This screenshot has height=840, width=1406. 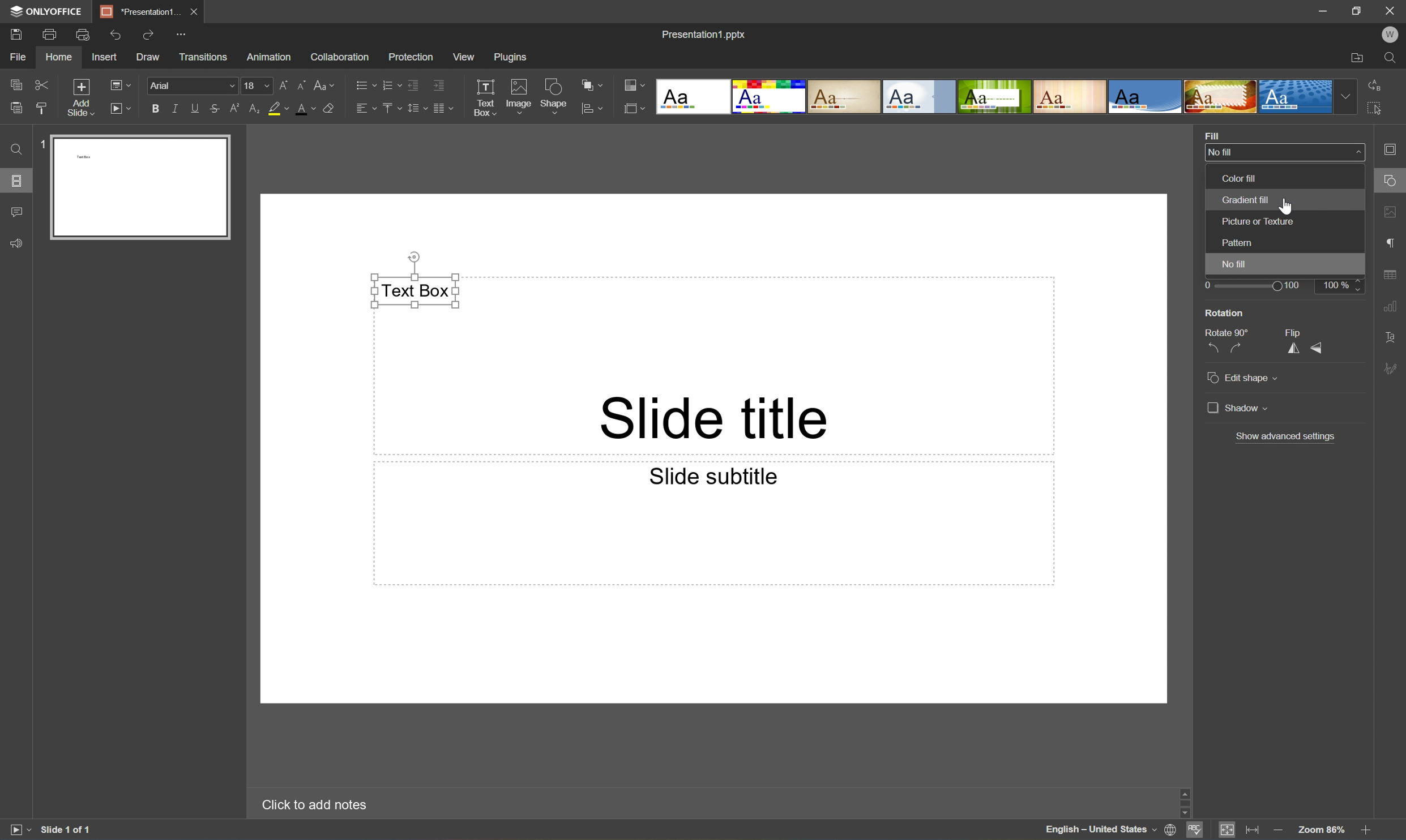 I want to click on Collaboration, so click(x=339, y=57).